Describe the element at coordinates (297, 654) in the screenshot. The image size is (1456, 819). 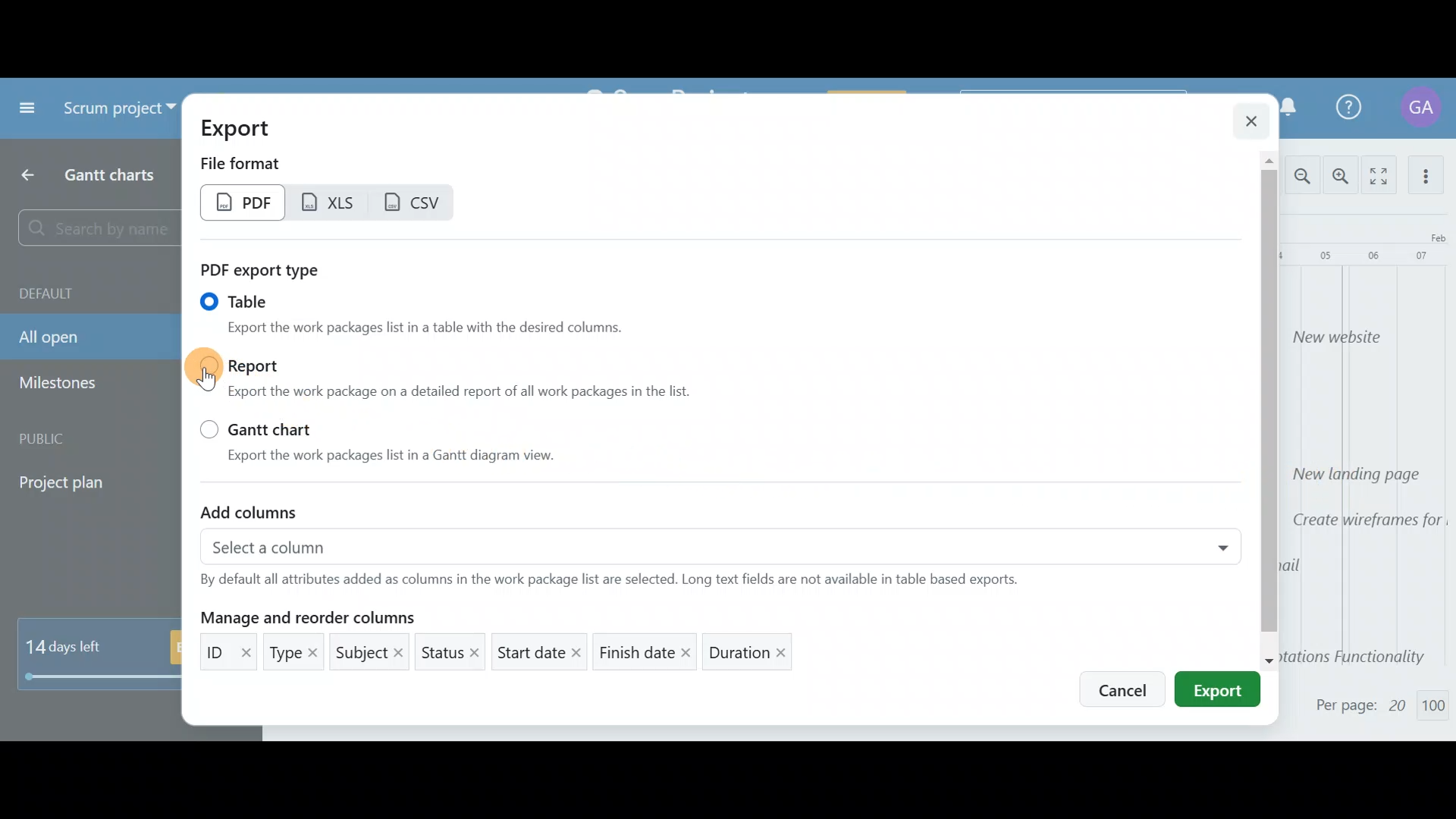
I see `Type` at that location.